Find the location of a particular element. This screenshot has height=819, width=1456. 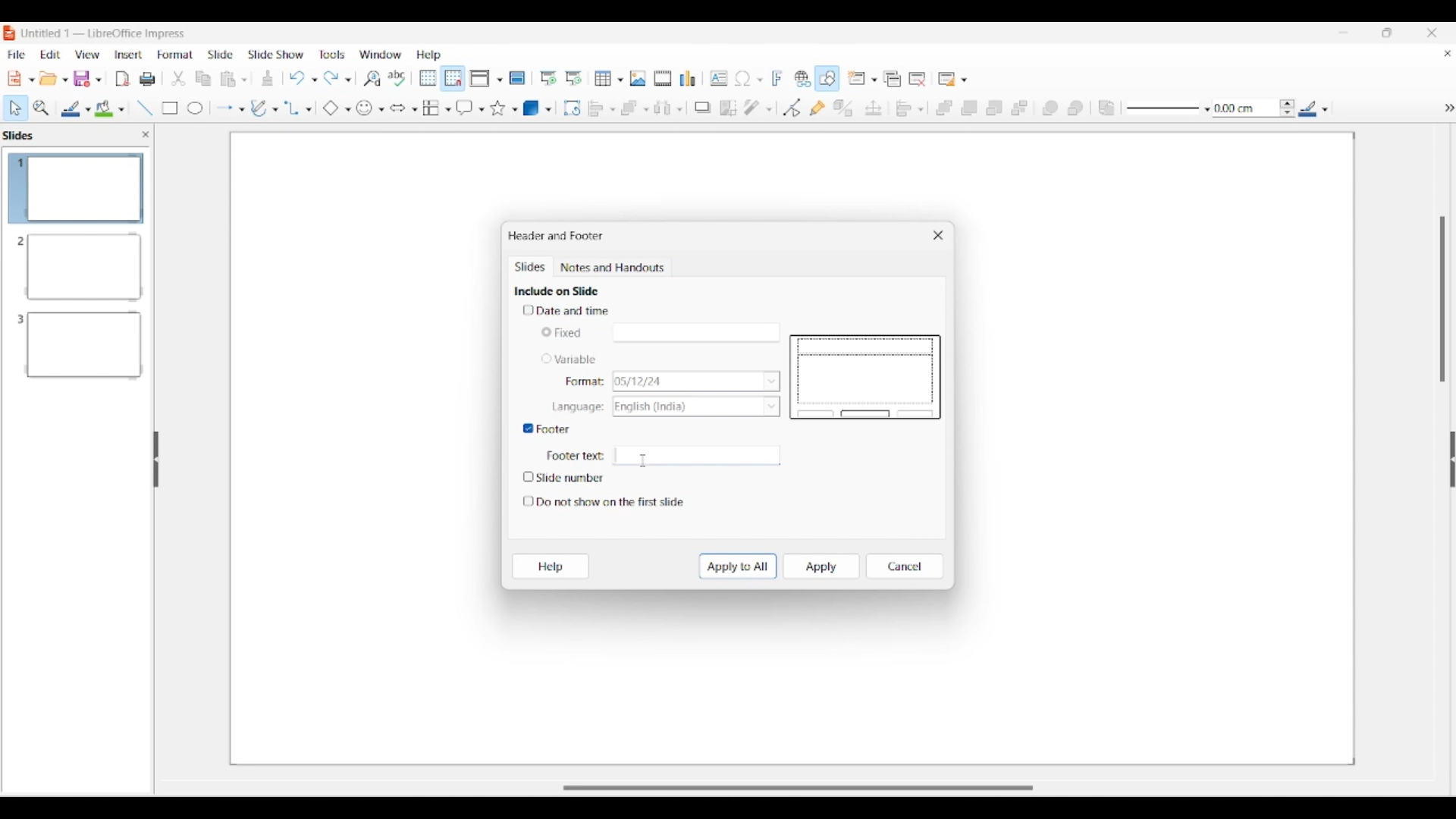

Zoom and pan is located at coordinates (42, 108).